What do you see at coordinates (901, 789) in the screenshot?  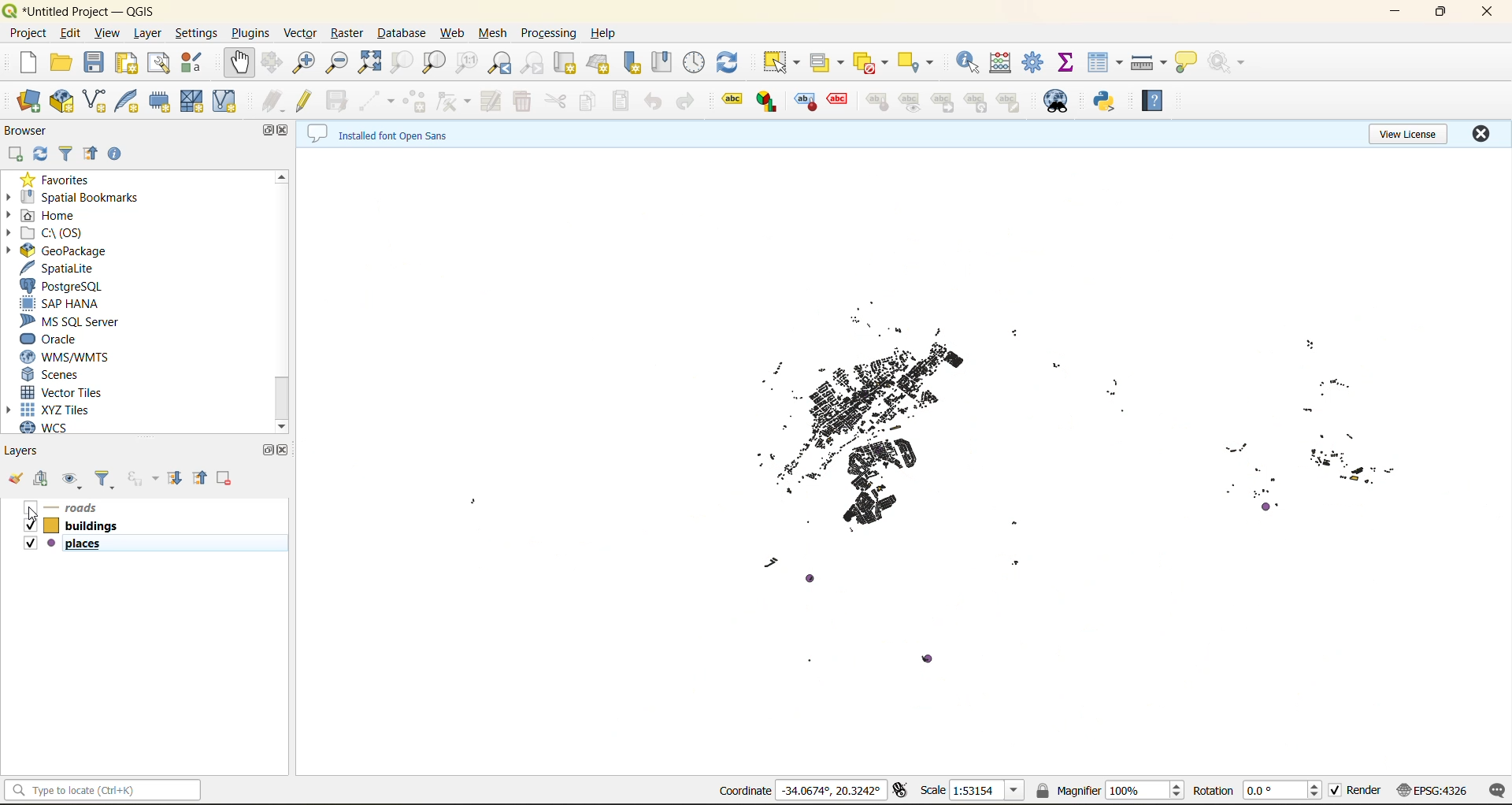 I see `toggle extents` at bounding box center [901, 789].